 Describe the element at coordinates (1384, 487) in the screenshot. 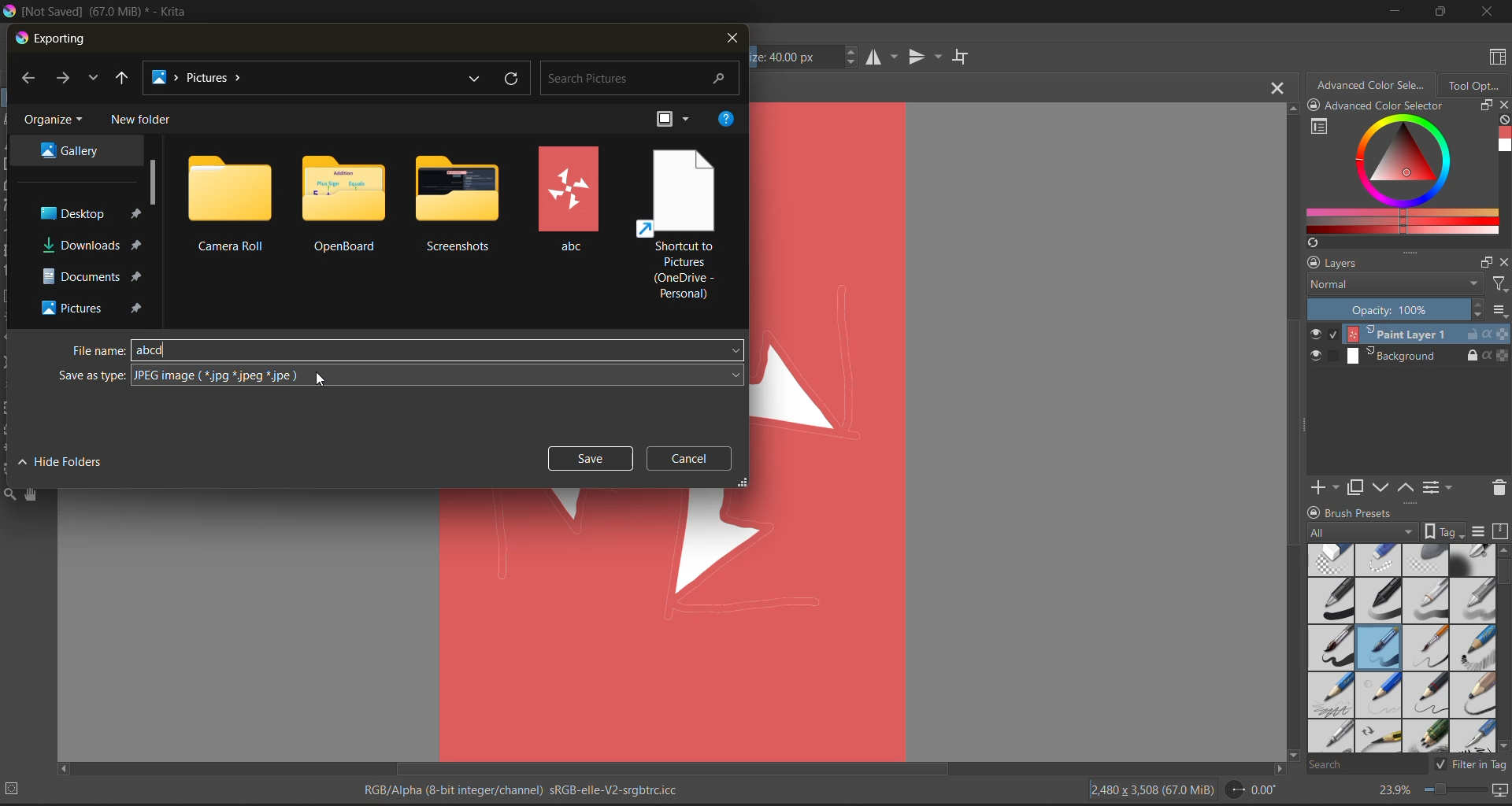

I see `mask down` at that location.